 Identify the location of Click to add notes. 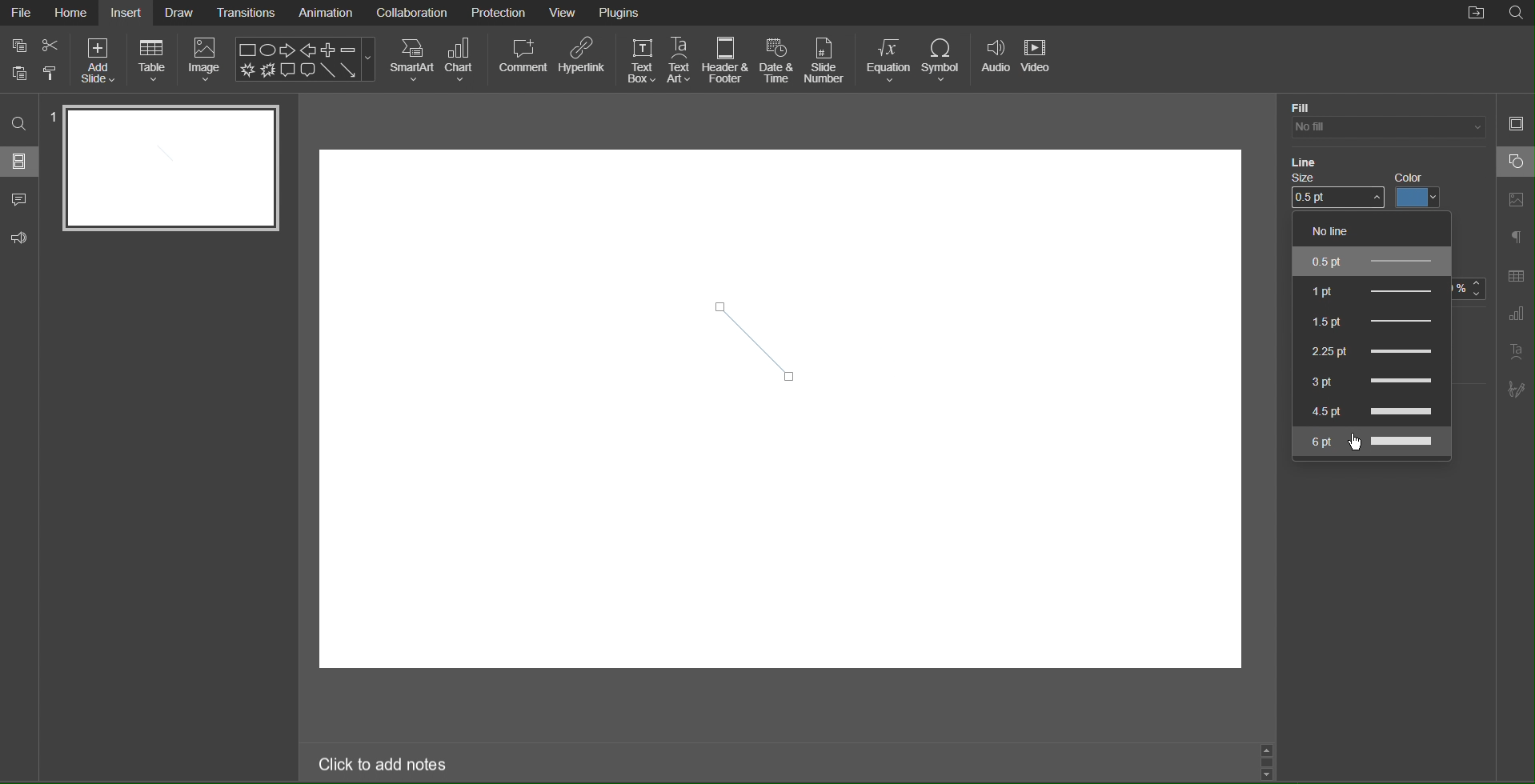
(384, 766).